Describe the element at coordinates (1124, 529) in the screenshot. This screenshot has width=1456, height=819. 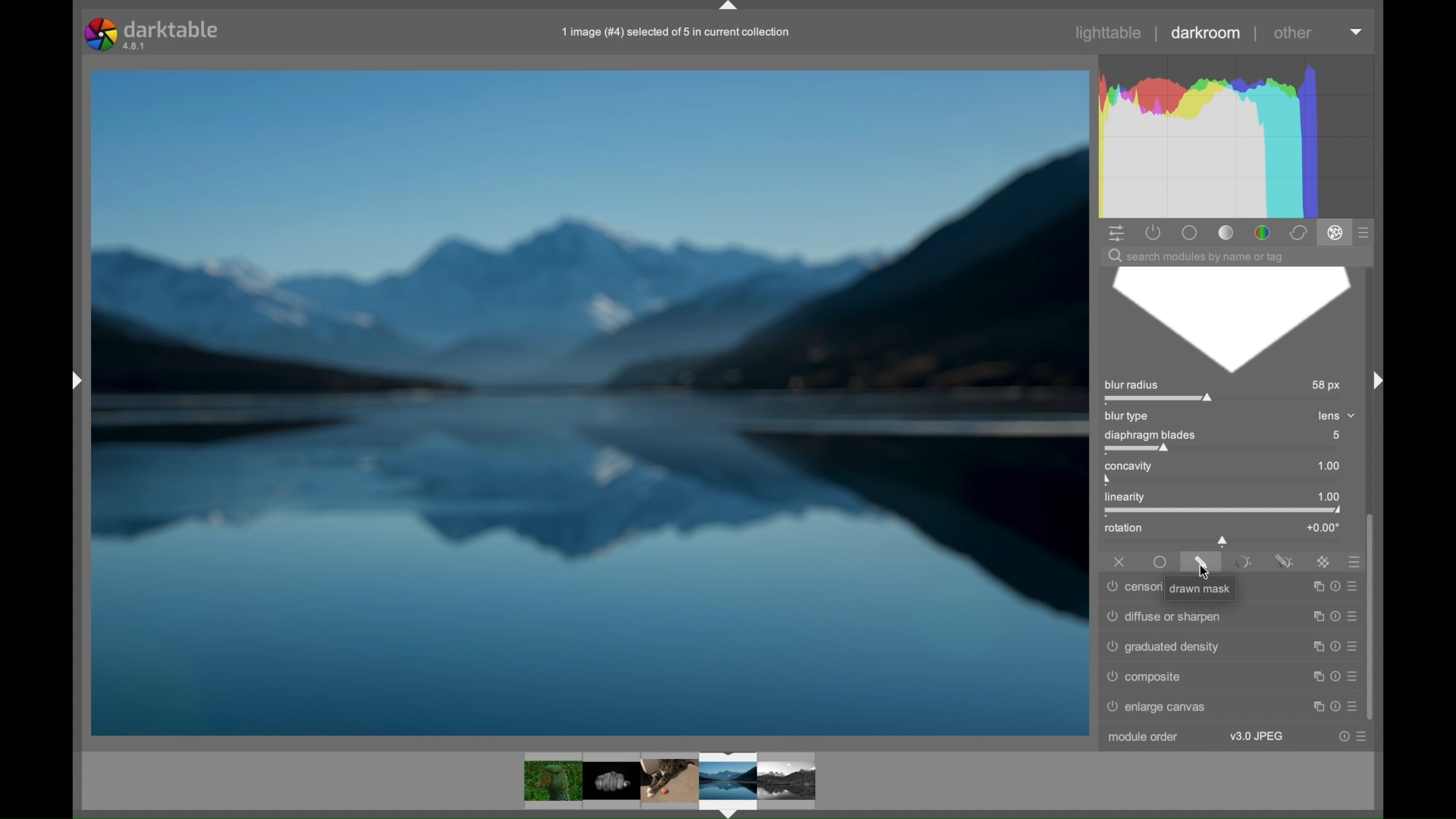
I see `rotation` at that location.